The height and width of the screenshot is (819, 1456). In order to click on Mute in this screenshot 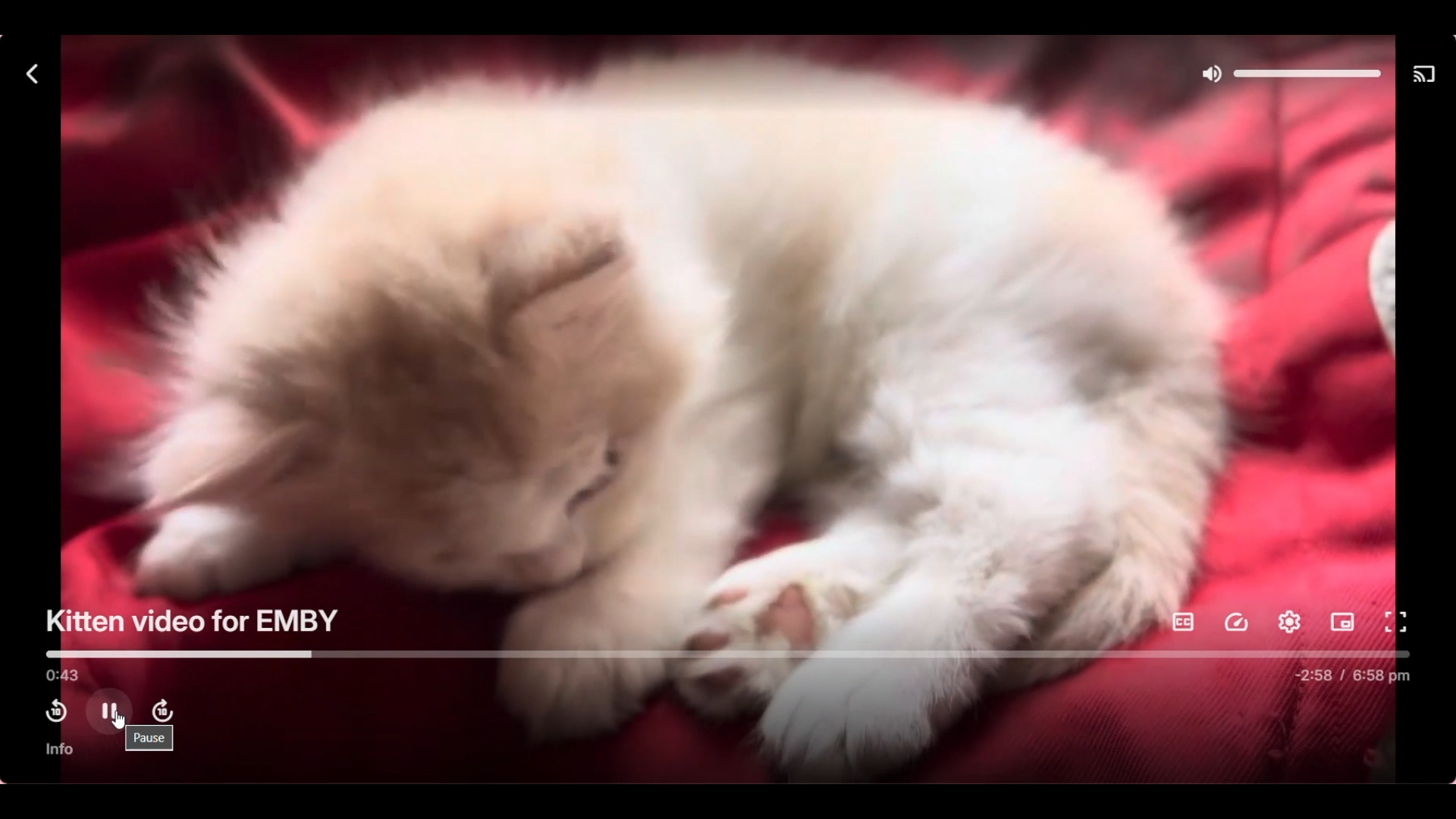, I will do `click(1210, 75)`.